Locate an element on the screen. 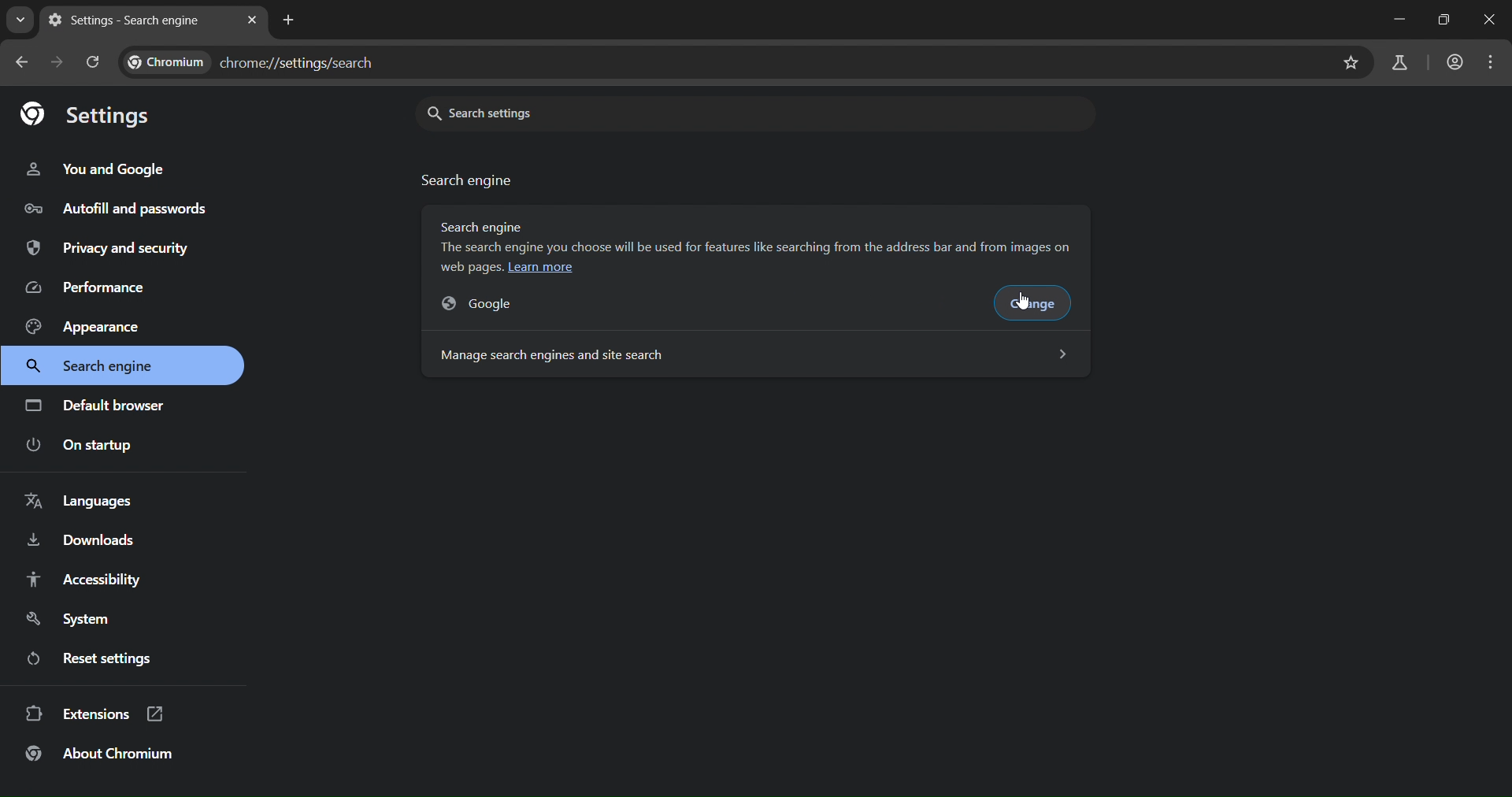  Search engine
The search engine you choose will be used for features like searching from the address bar and from images on is located at coordinates (762, 236).